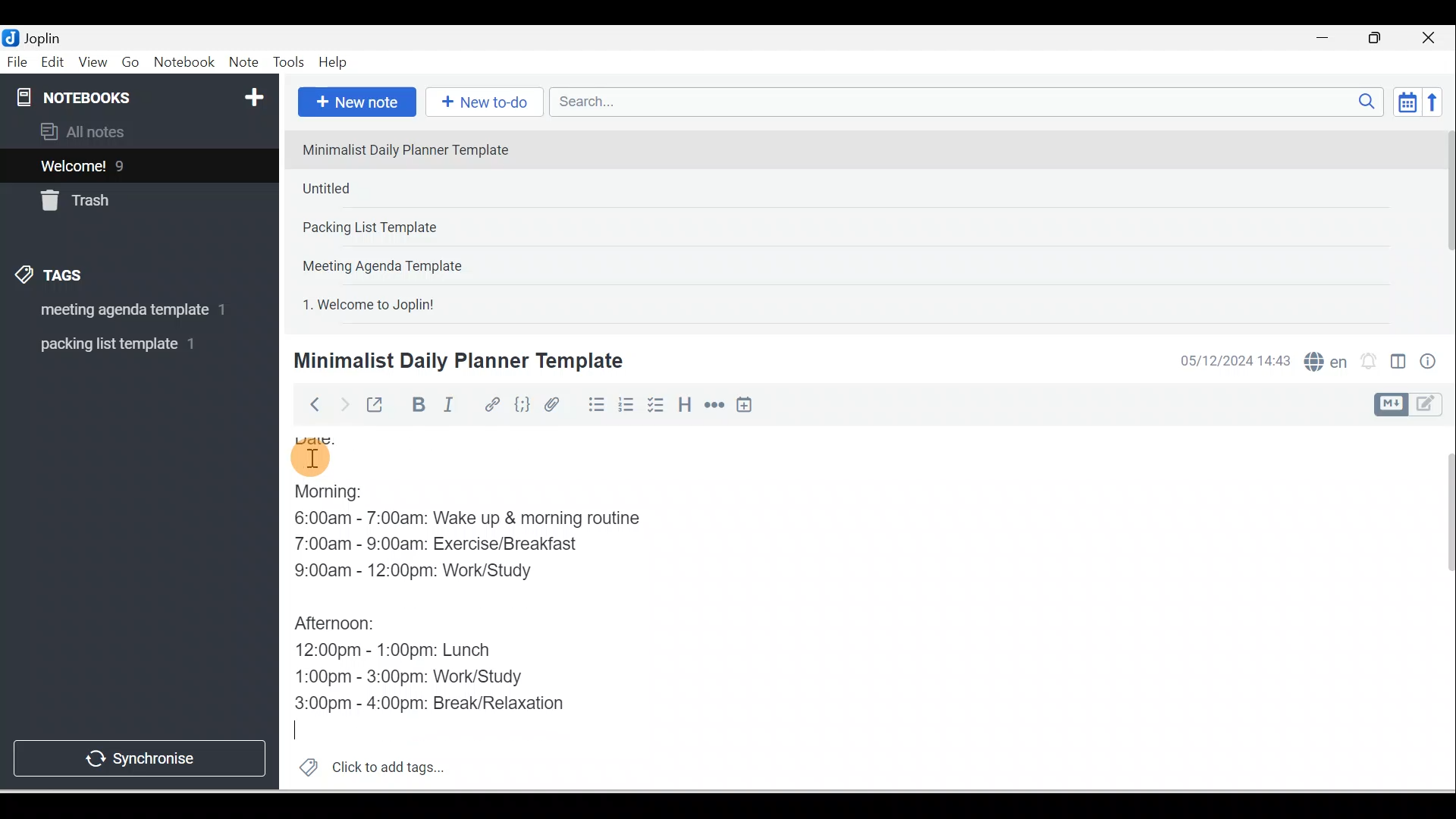  Describe the element at coordinates (1429, 363) in the screenshot. I see `Note properties` at that location.